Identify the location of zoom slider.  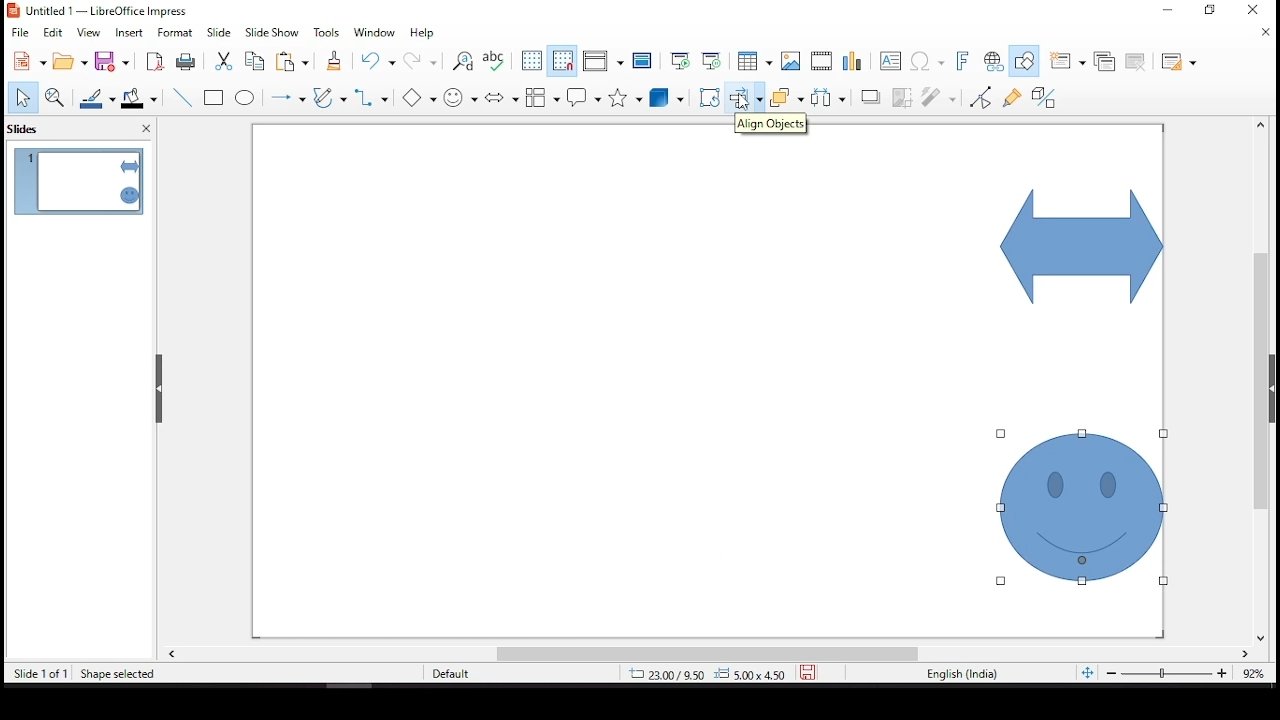
(1167, 673).